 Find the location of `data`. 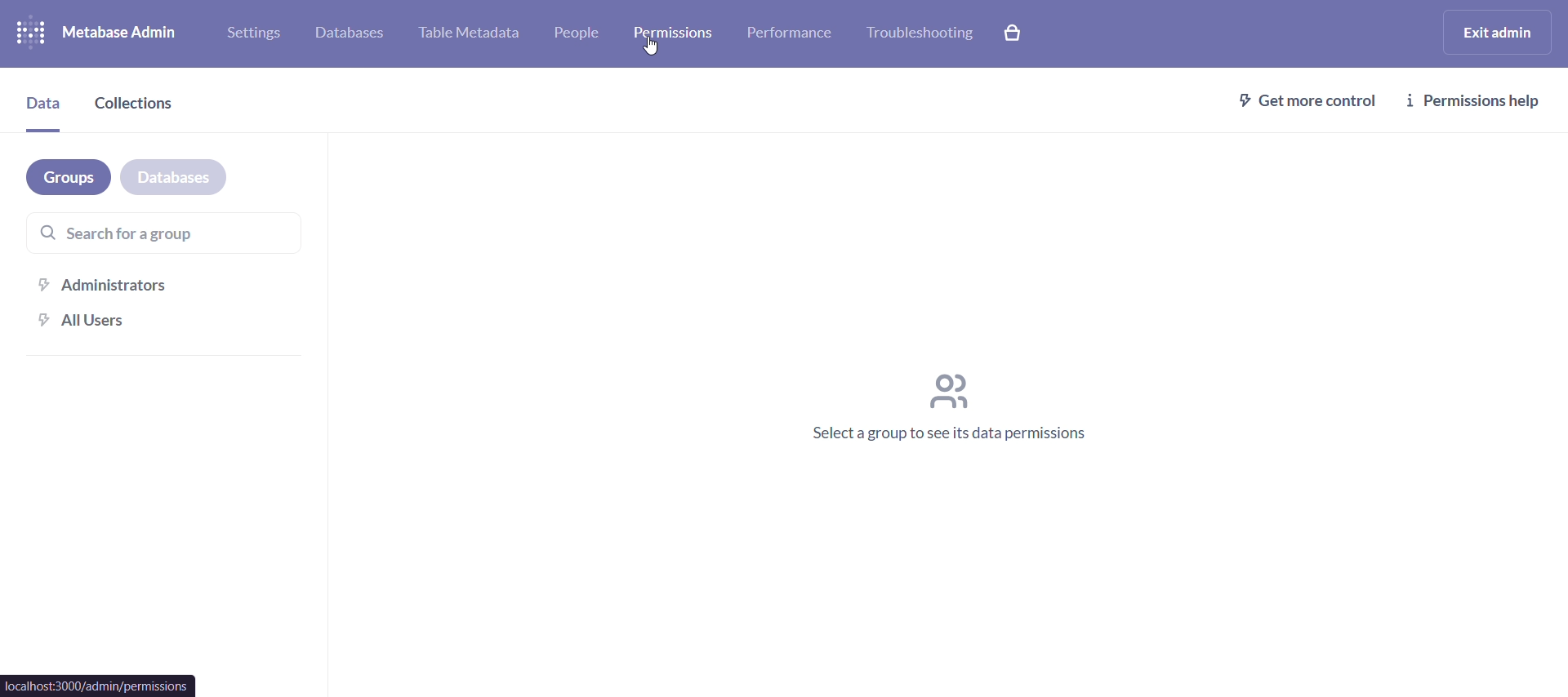

data is located at coordinates (42, 108).